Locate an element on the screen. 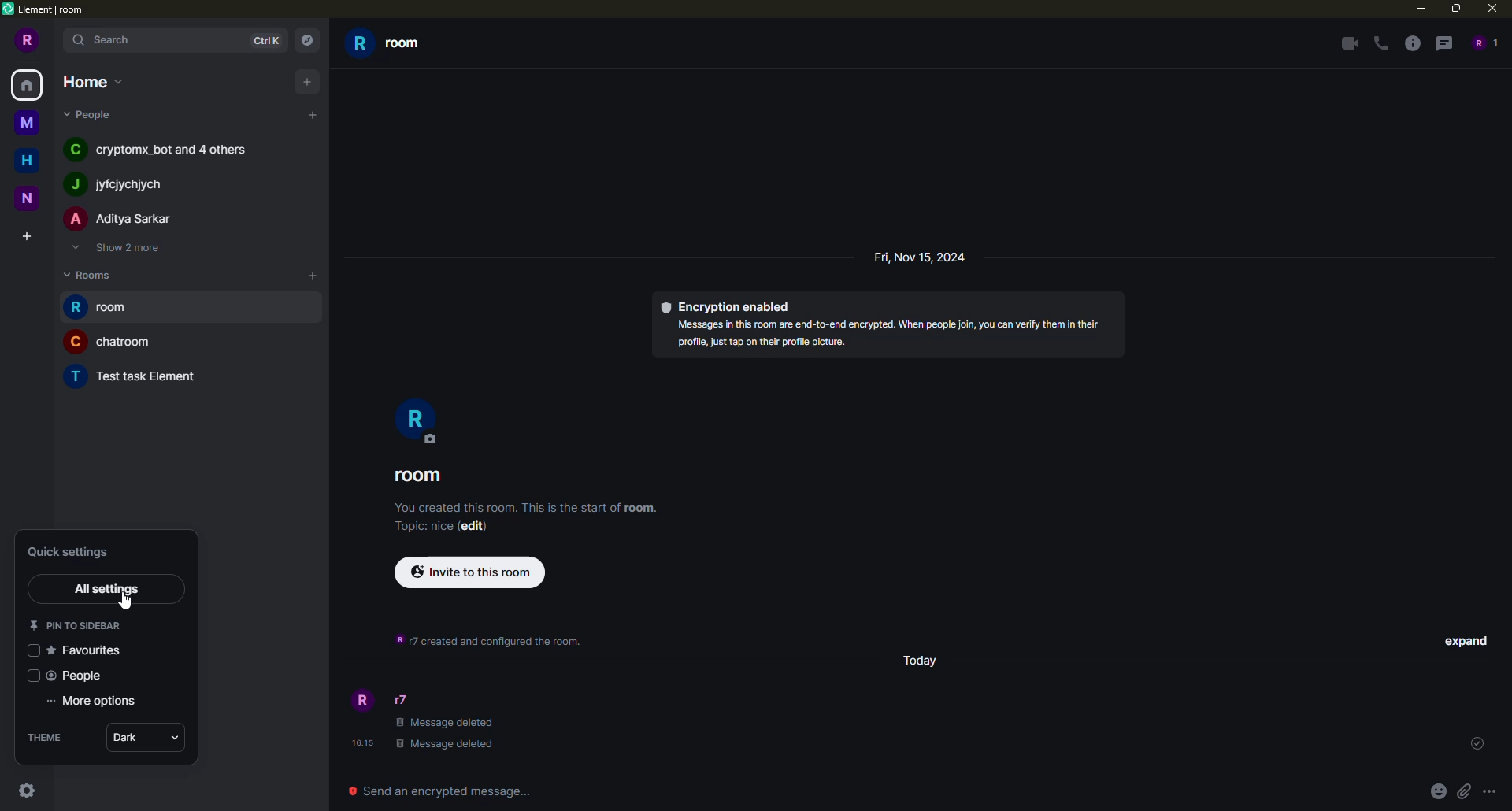 The width and height of the screenshot is (1512, 811). info is located at coordinates (531, 505).